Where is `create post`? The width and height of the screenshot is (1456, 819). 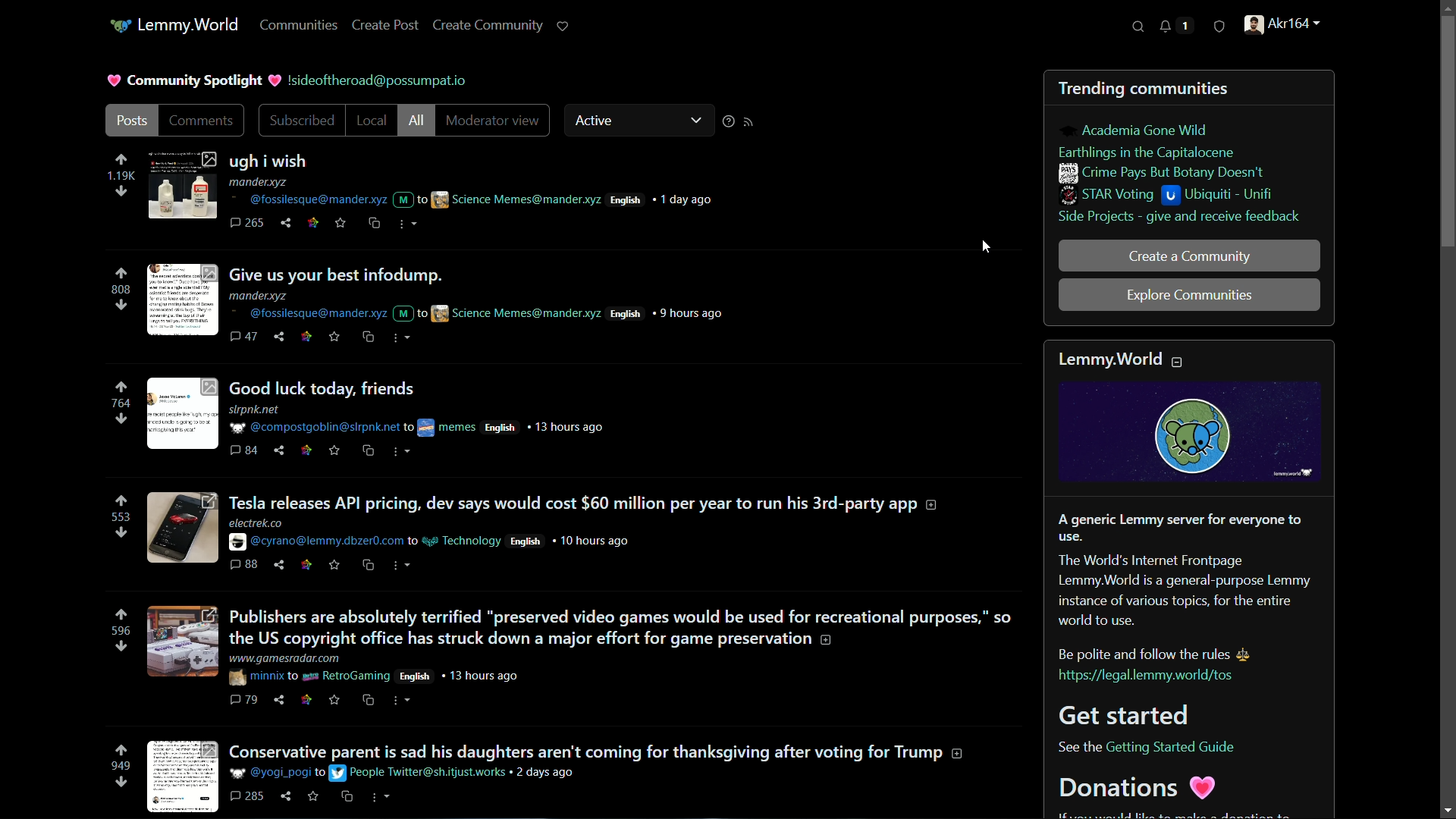
create post is located at coordinates (388, 24).